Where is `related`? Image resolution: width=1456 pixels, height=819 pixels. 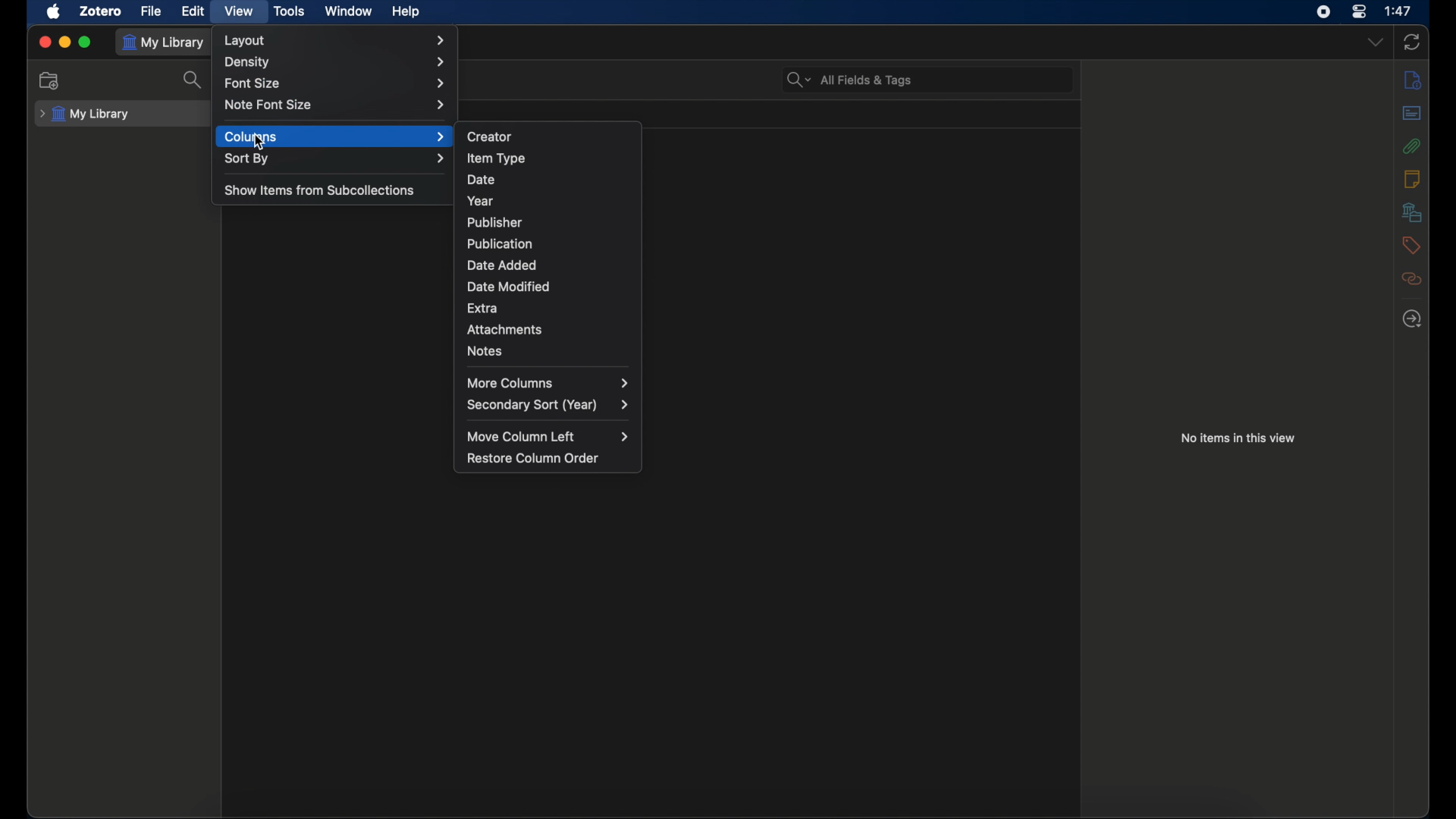 related is located at coordinates (1411, 278).